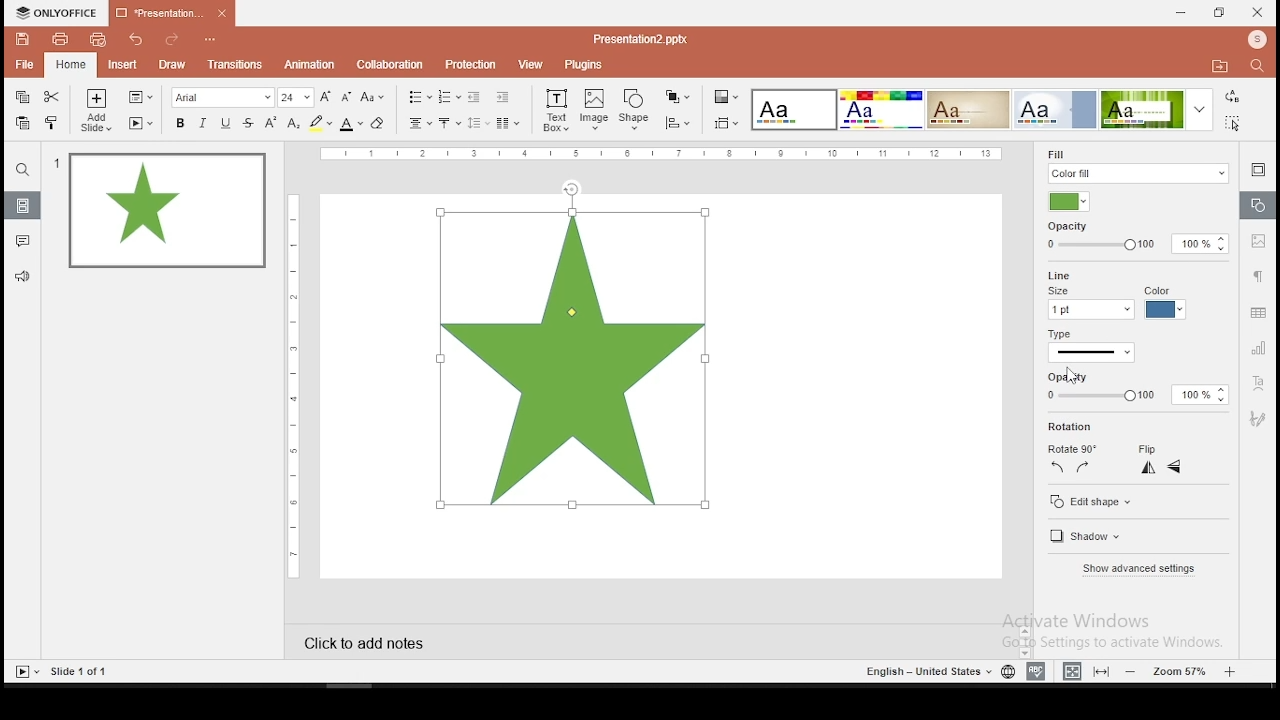 This screenshot has width=1280, height=720. I want to click on opacity, so click(1134, 237).